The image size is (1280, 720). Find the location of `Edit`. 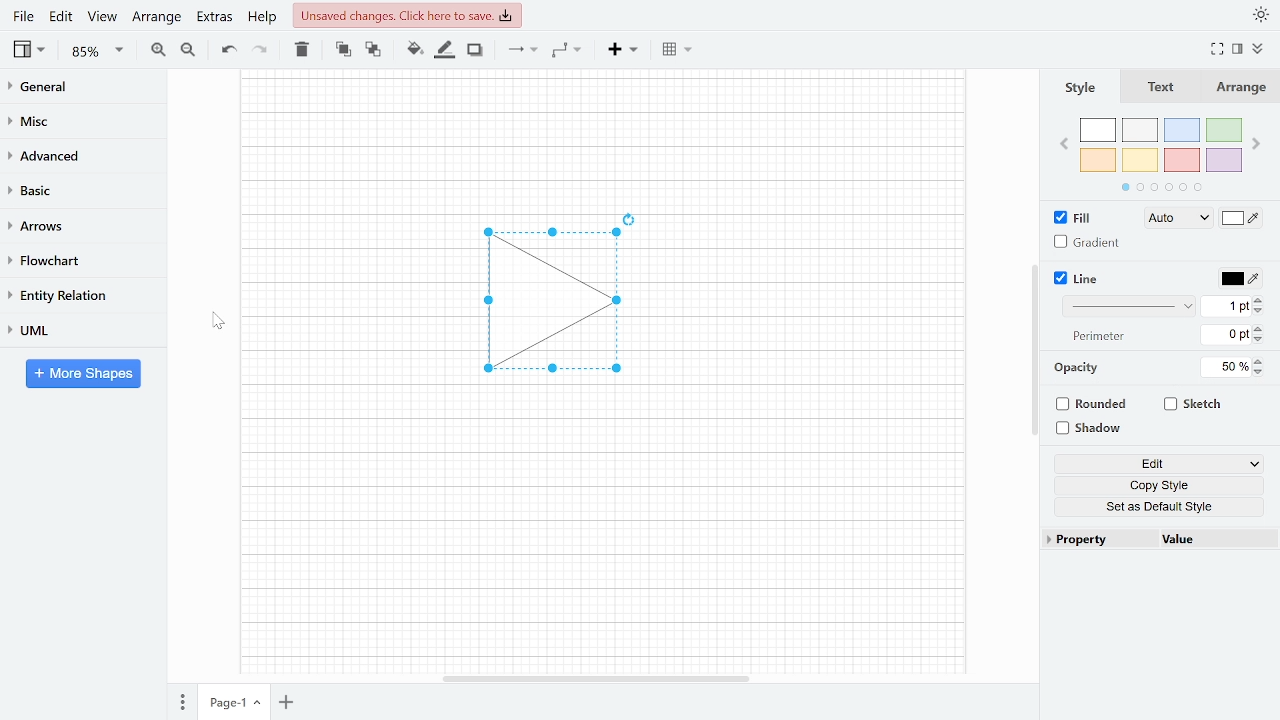

Edit is located at coordinates (62, 16).